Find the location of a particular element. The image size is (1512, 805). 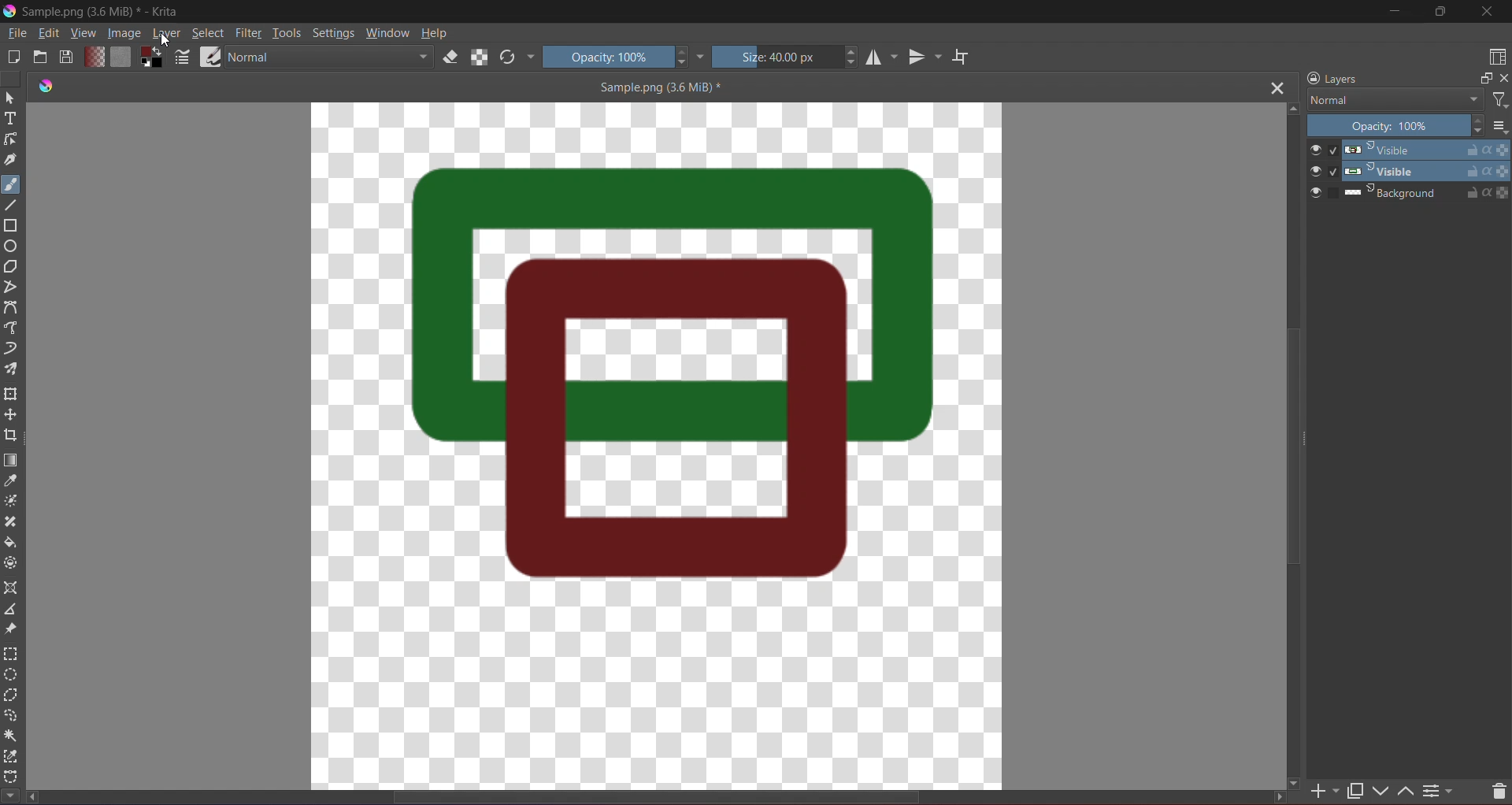

Visible is located at coordinates (1406, 150).